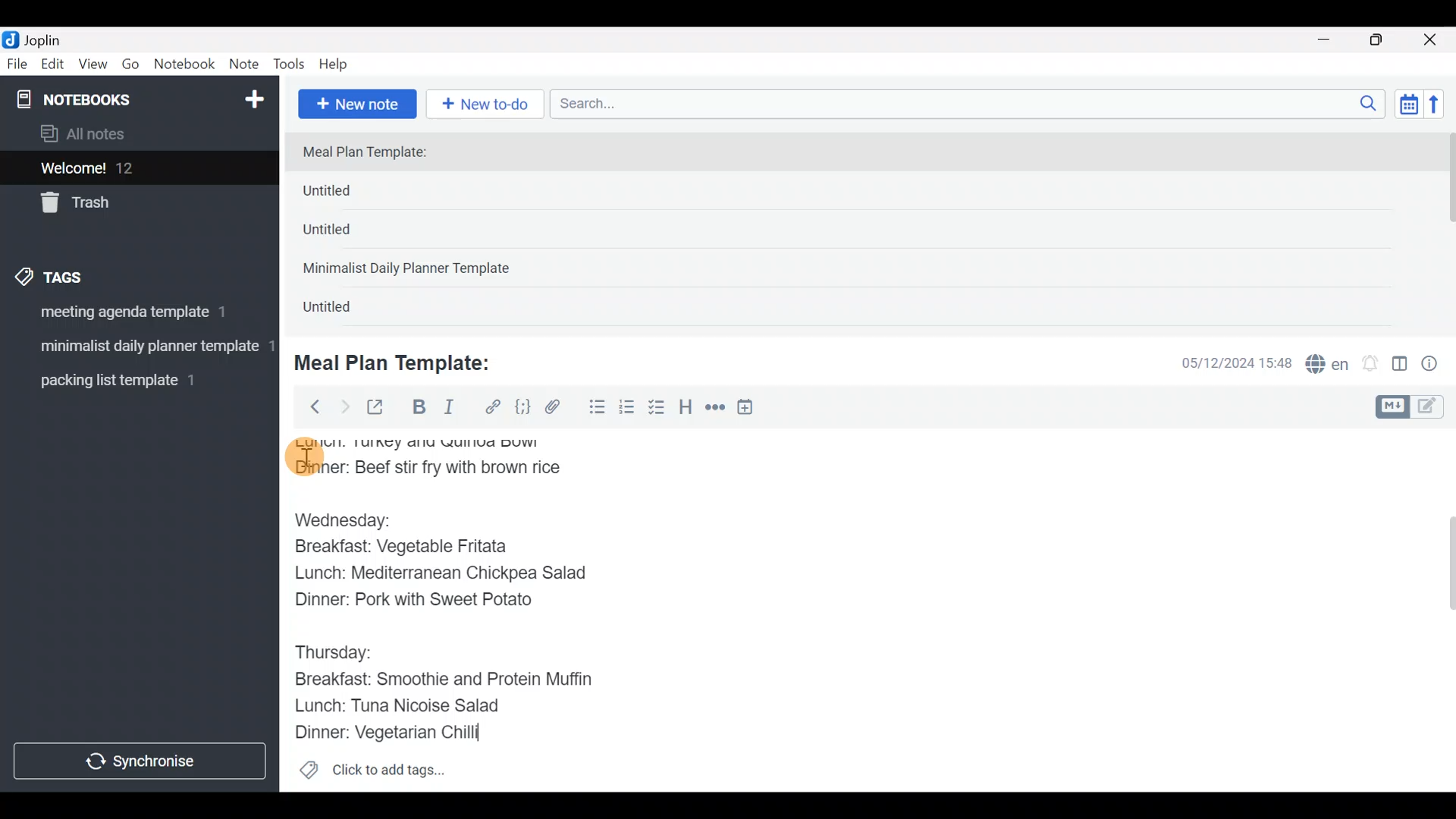 This screenshot has height=819, width=1456. Describe the element at coordinates (594, 408) in the screenshot. I see `Bulleted list` at that location.